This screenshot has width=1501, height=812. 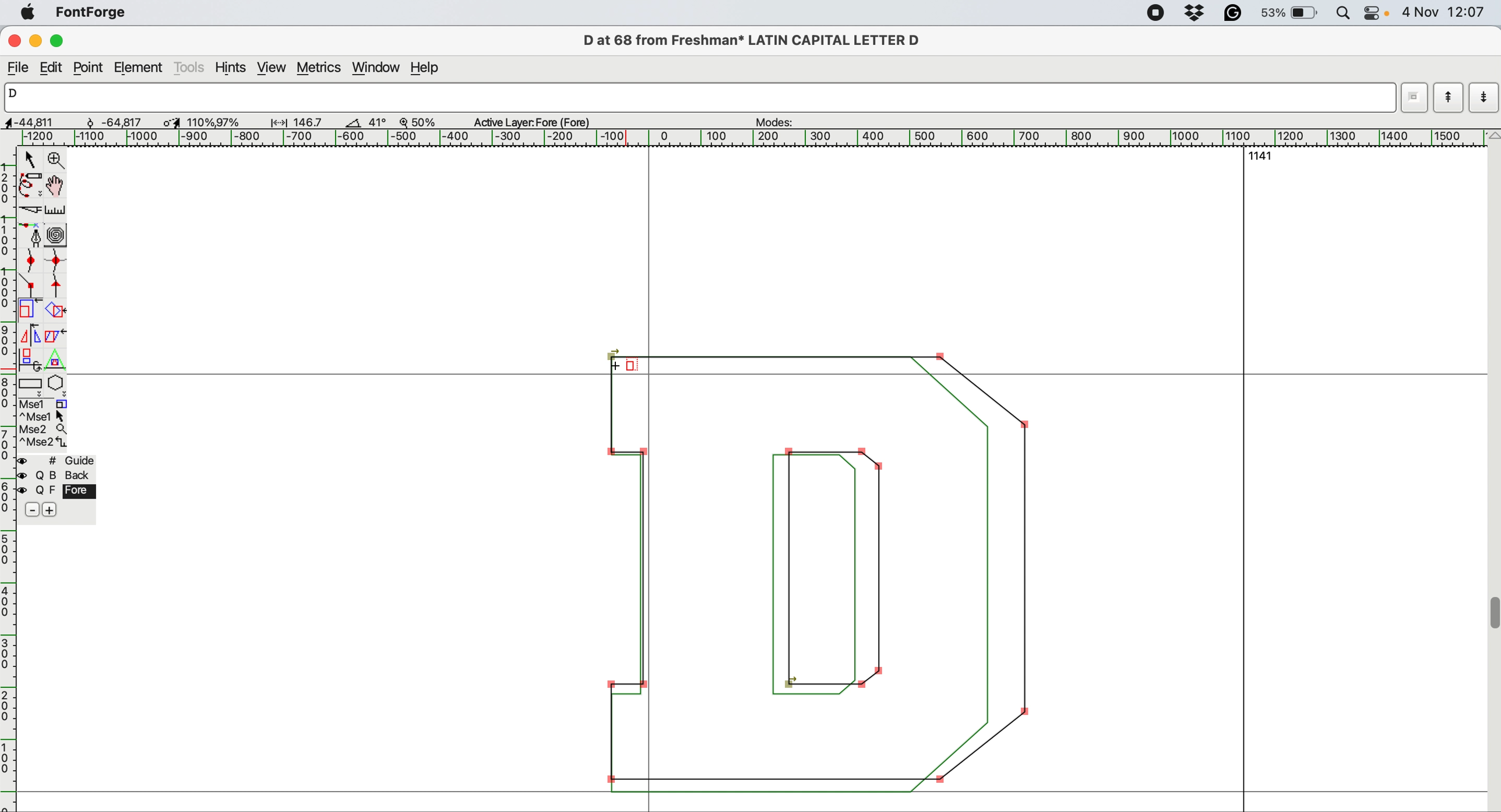 I want to click on draw freehand curve, so click(x=30, y=185).